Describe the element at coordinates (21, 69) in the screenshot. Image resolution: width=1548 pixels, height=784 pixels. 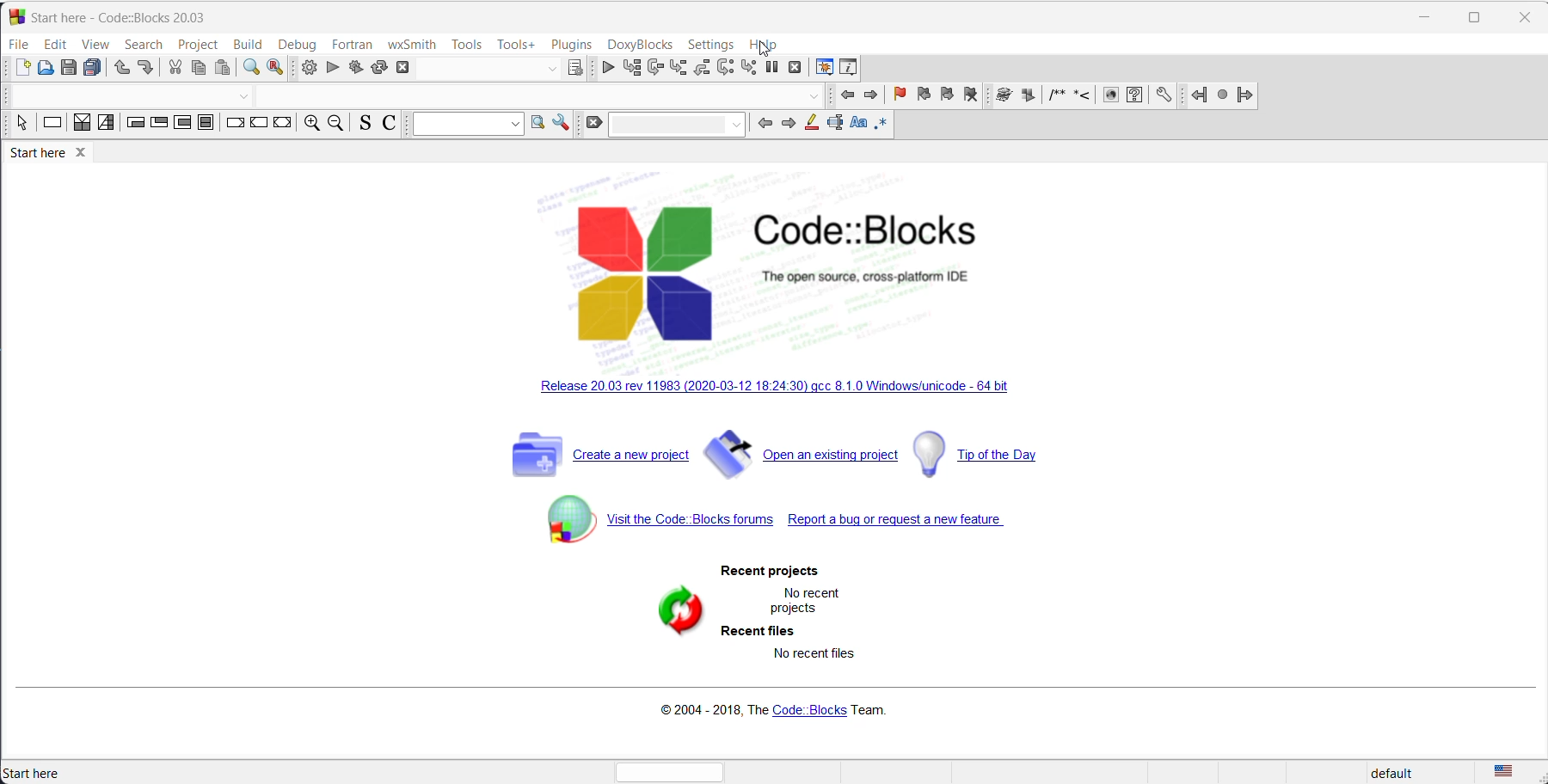
I see `new file` at that location.